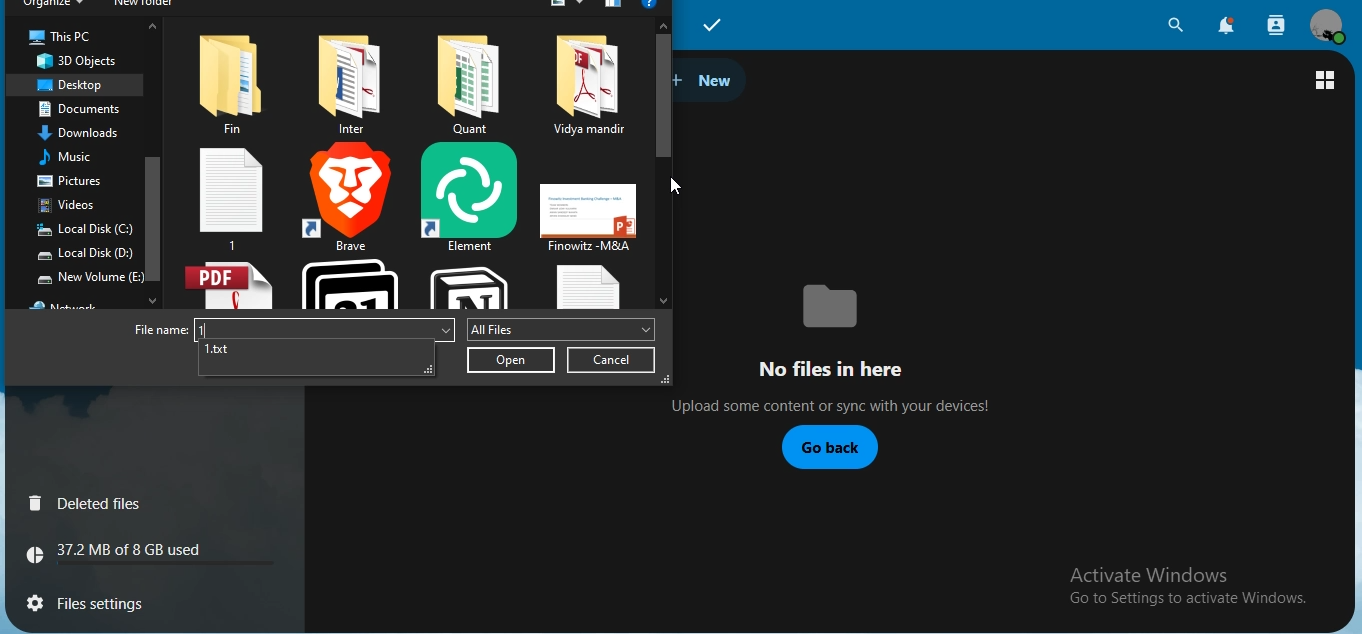 This screenshot has height=634, width=1362. Describe the element at coordinates (60, 38) in the screenshot. I see `this pc` at that location.